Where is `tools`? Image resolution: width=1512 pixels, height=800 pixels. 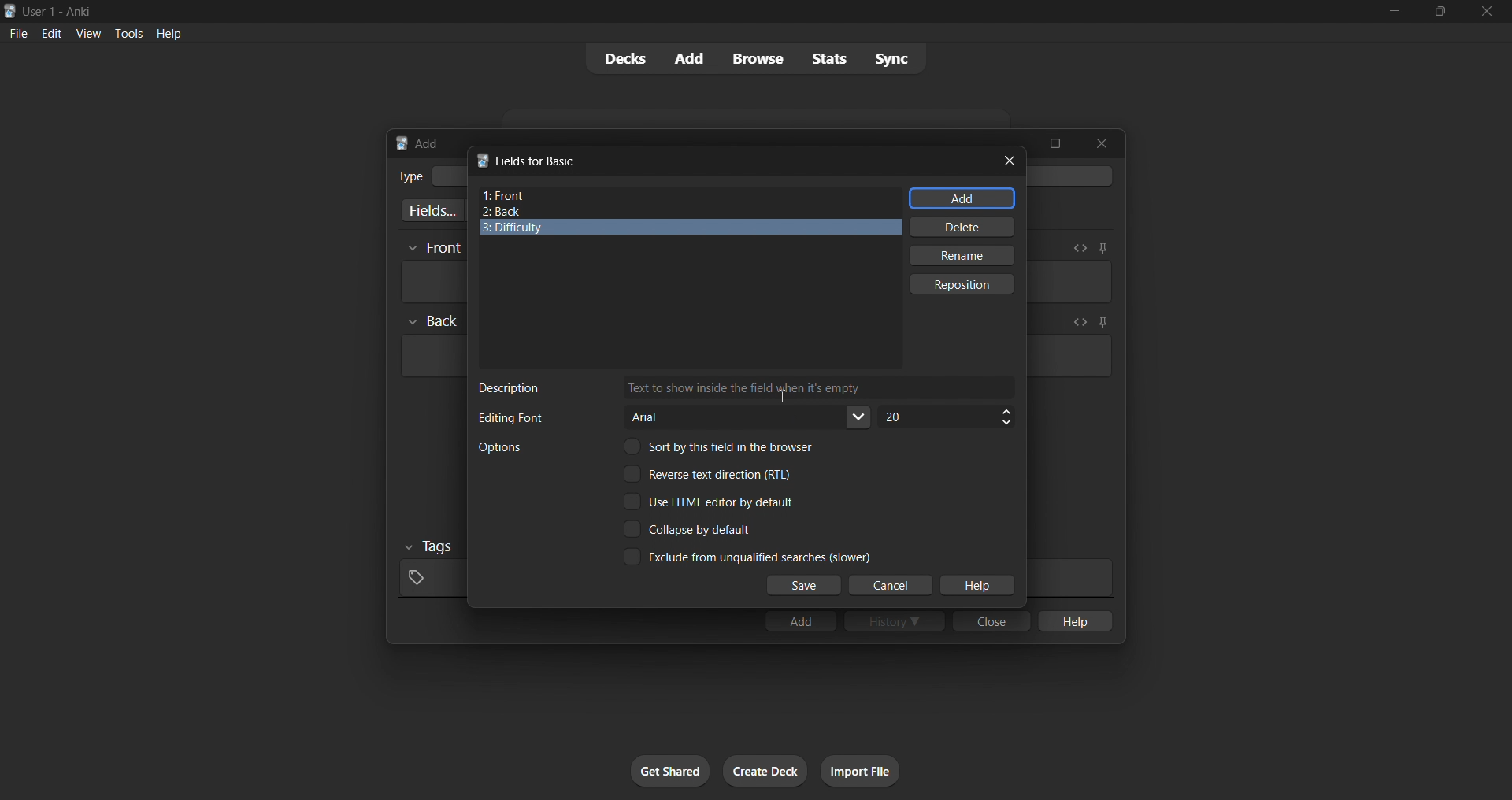
tools is located at coordinates (127, 33).